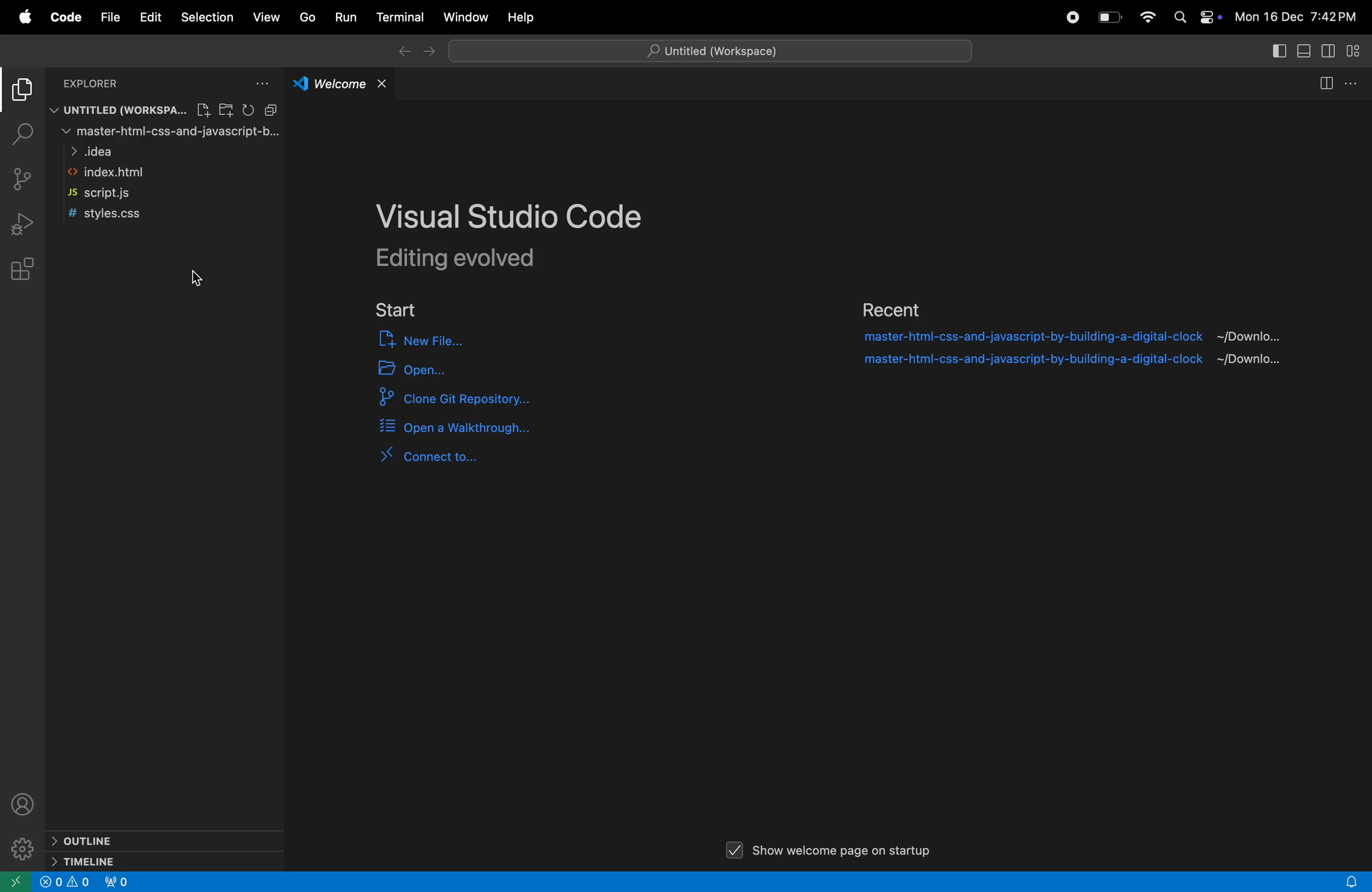 This screenshot has height=892, width=1372. Describe the element at coordinates (22, 849) in the screenshot. I see `settings` at that location.